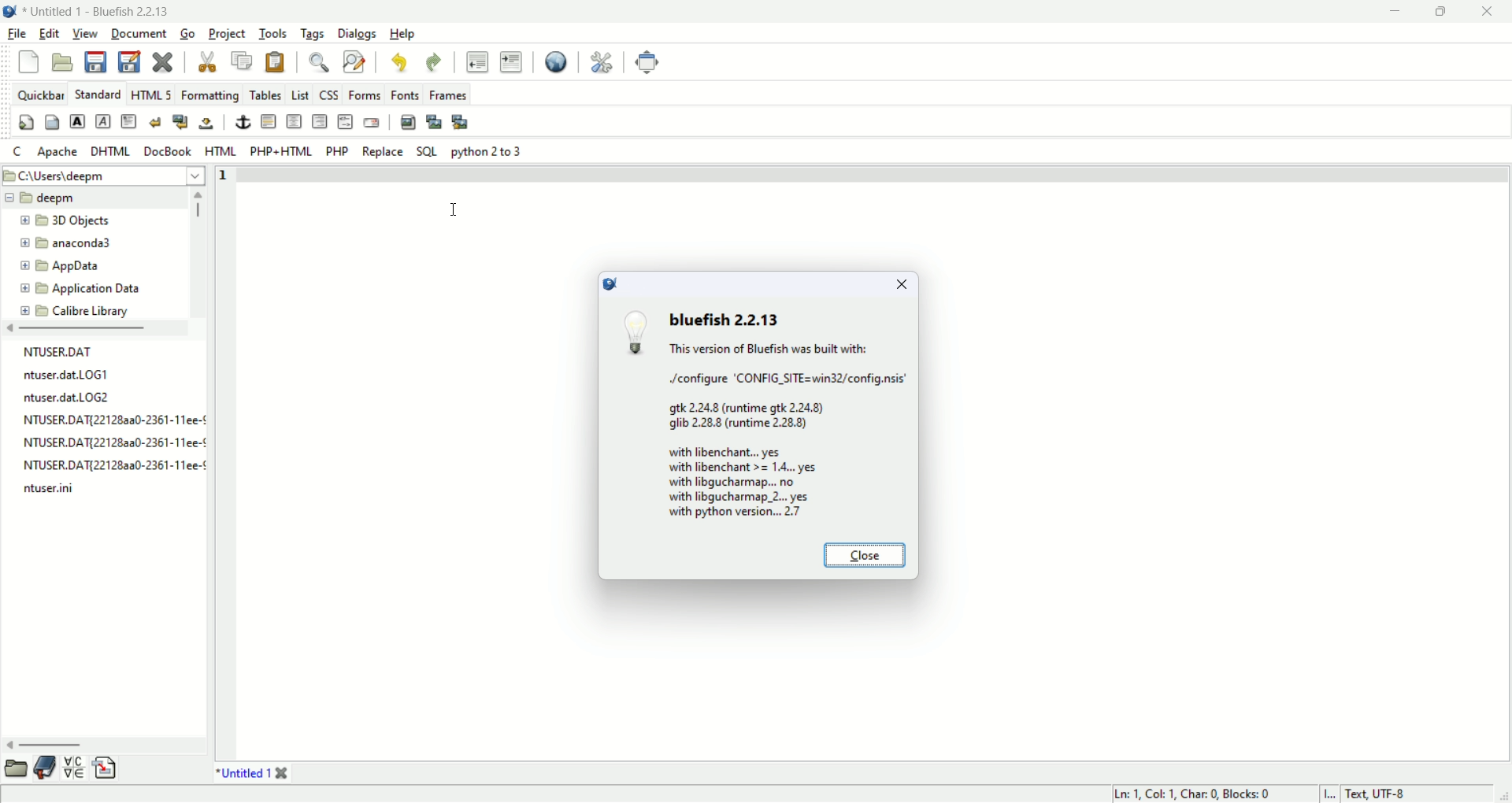 Image resolution: width=1512 pixels, height=803 pixels. Describe the element at coordinates (510, 61) in the screenshot. I see `indent` at that location.